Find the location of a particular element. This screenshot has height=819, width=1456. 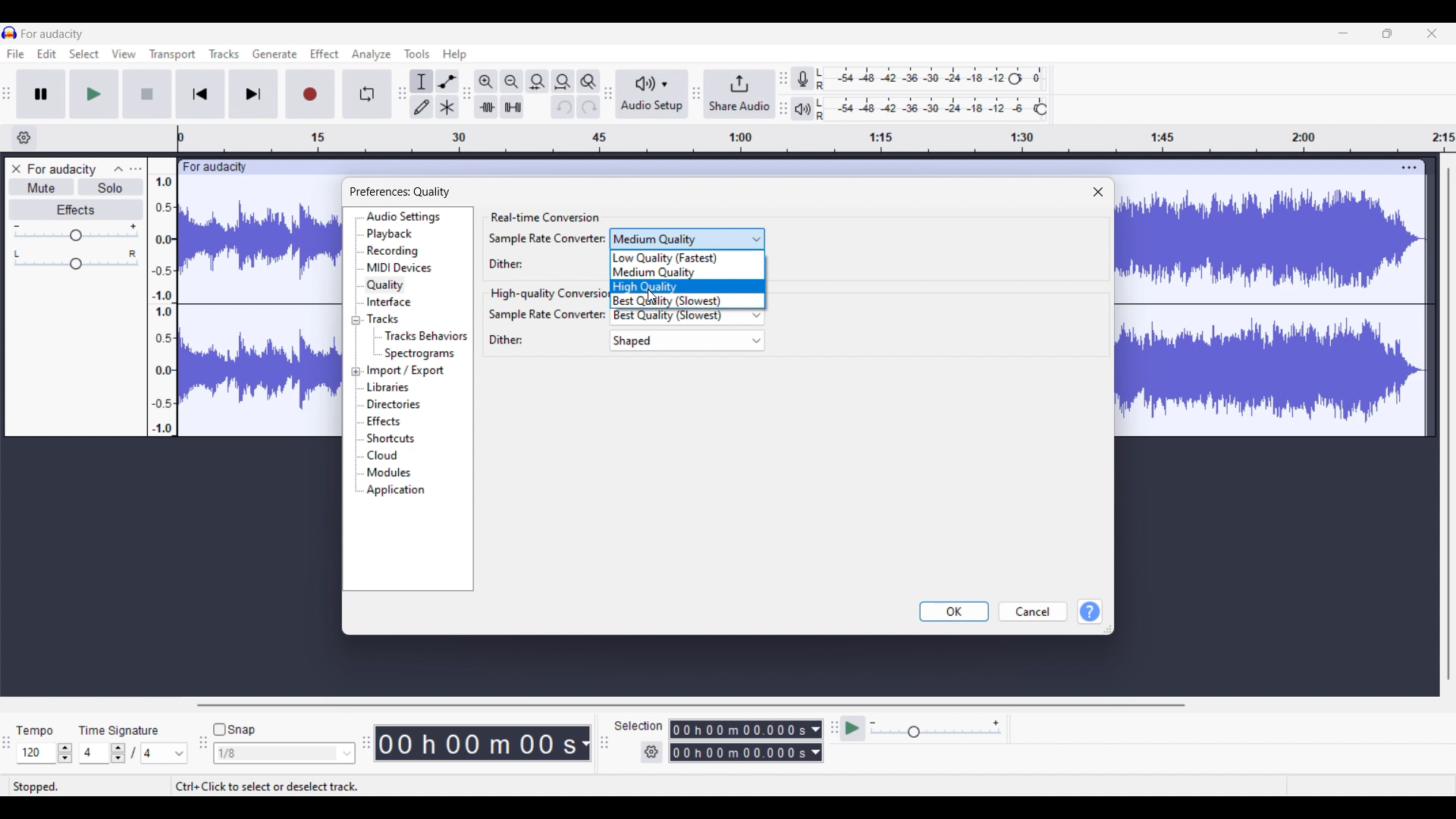

MIDI devices is located at coordinates (399, 267).